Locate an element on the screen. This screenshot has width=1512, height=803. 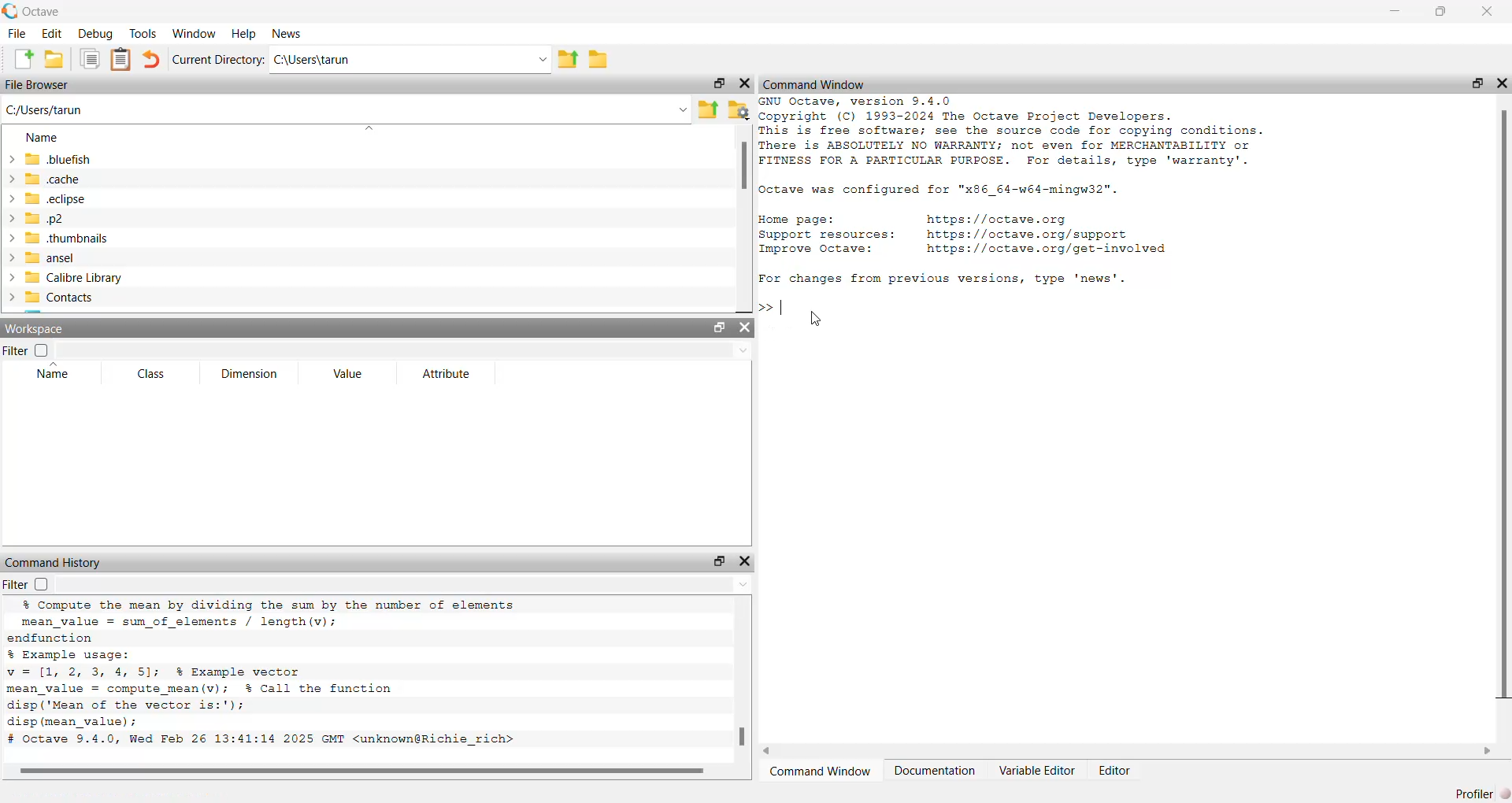
Command Window is located at coordinates (816, 84).